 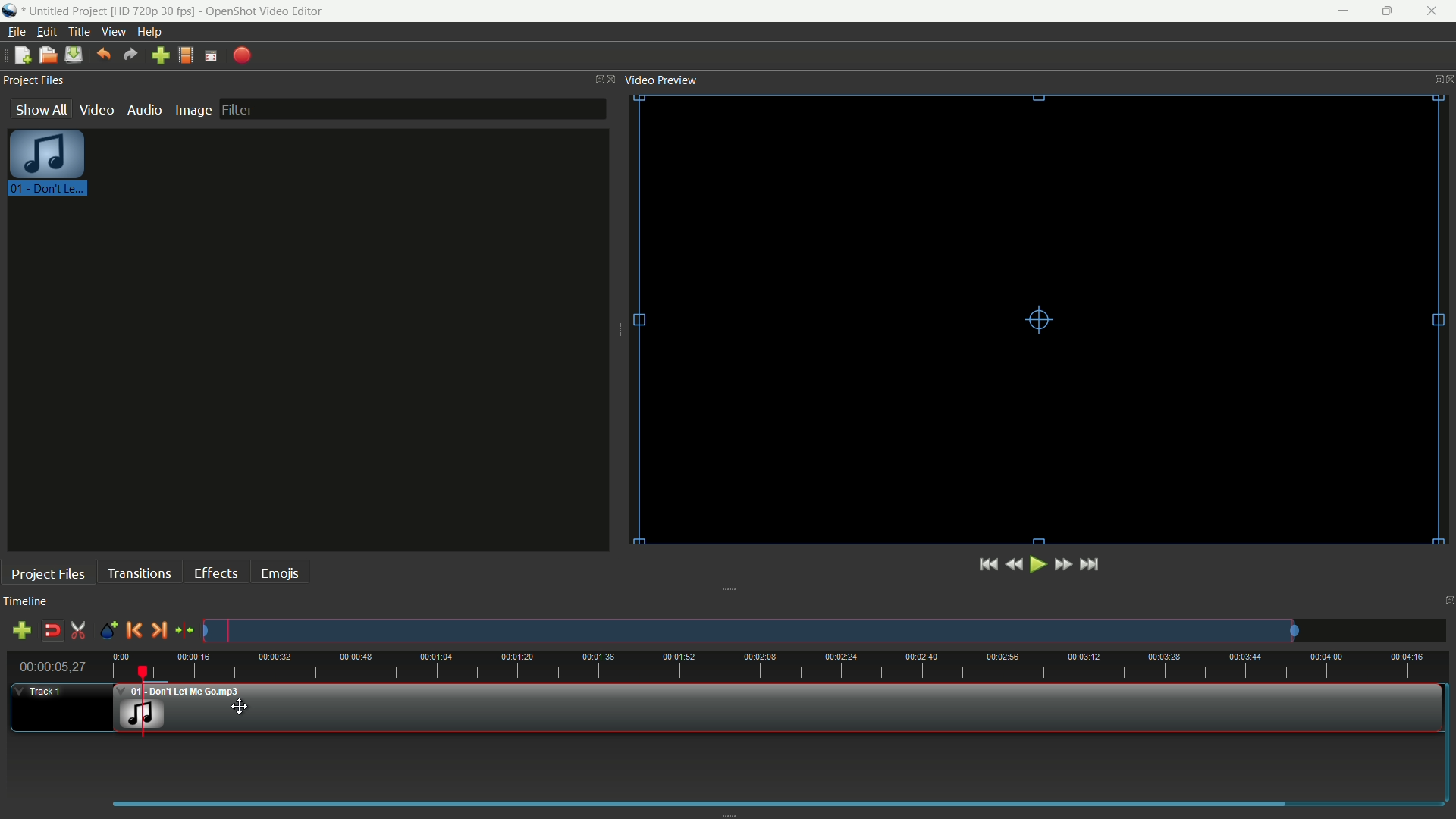 I want to click on image, so click(x=193, y=110).